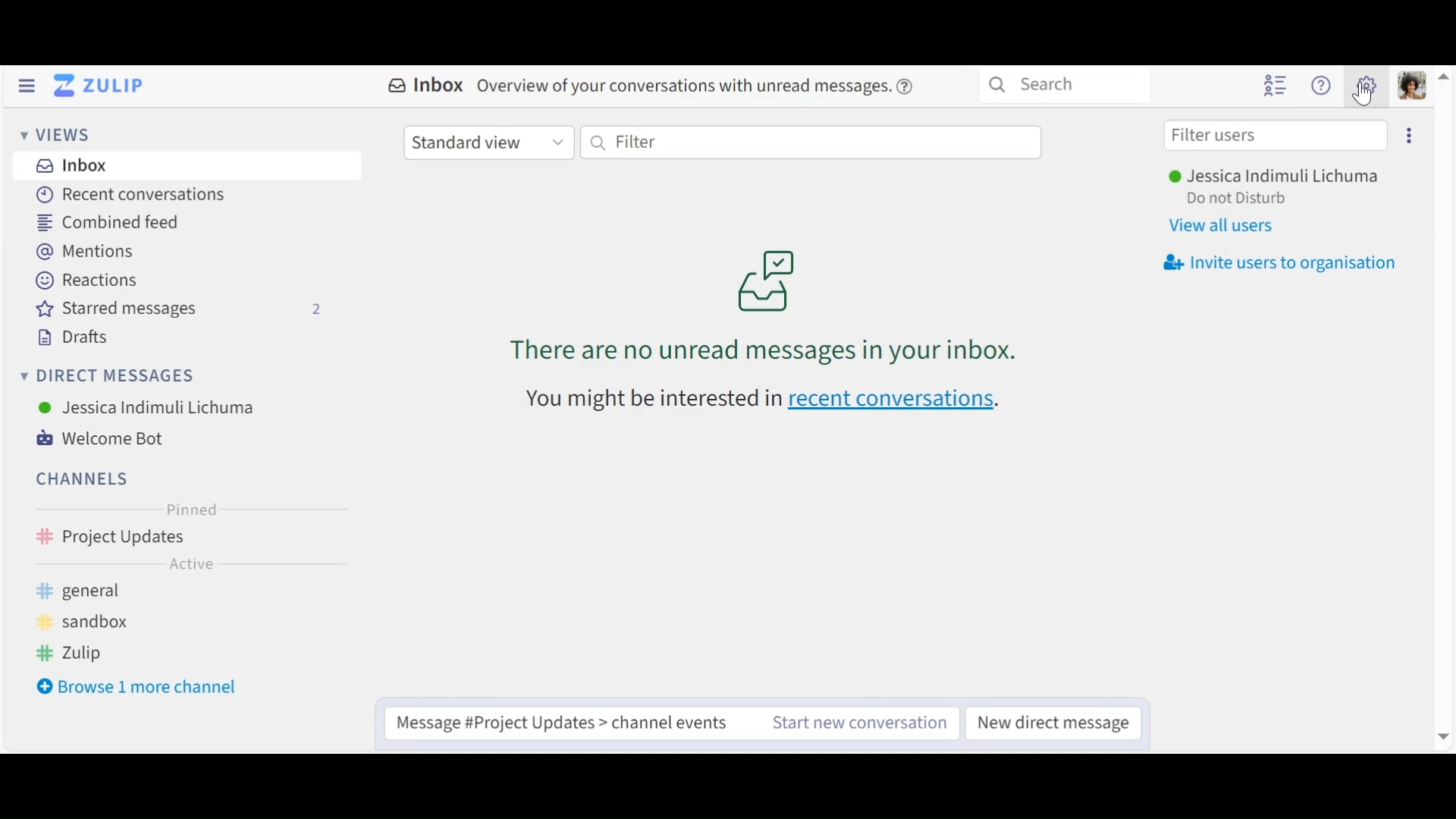 Image resolution: width=1456 pixels, height=819 pixels. I want to click on Filter users, so click(1276, 134).